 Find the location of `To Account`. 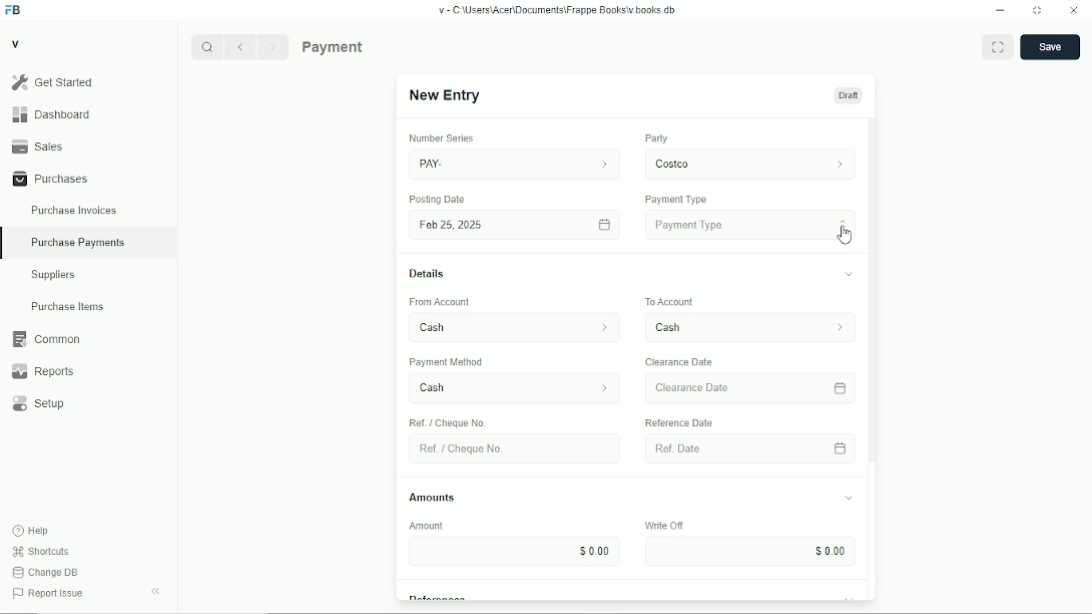

To Account is located at coordinates (747, 328).